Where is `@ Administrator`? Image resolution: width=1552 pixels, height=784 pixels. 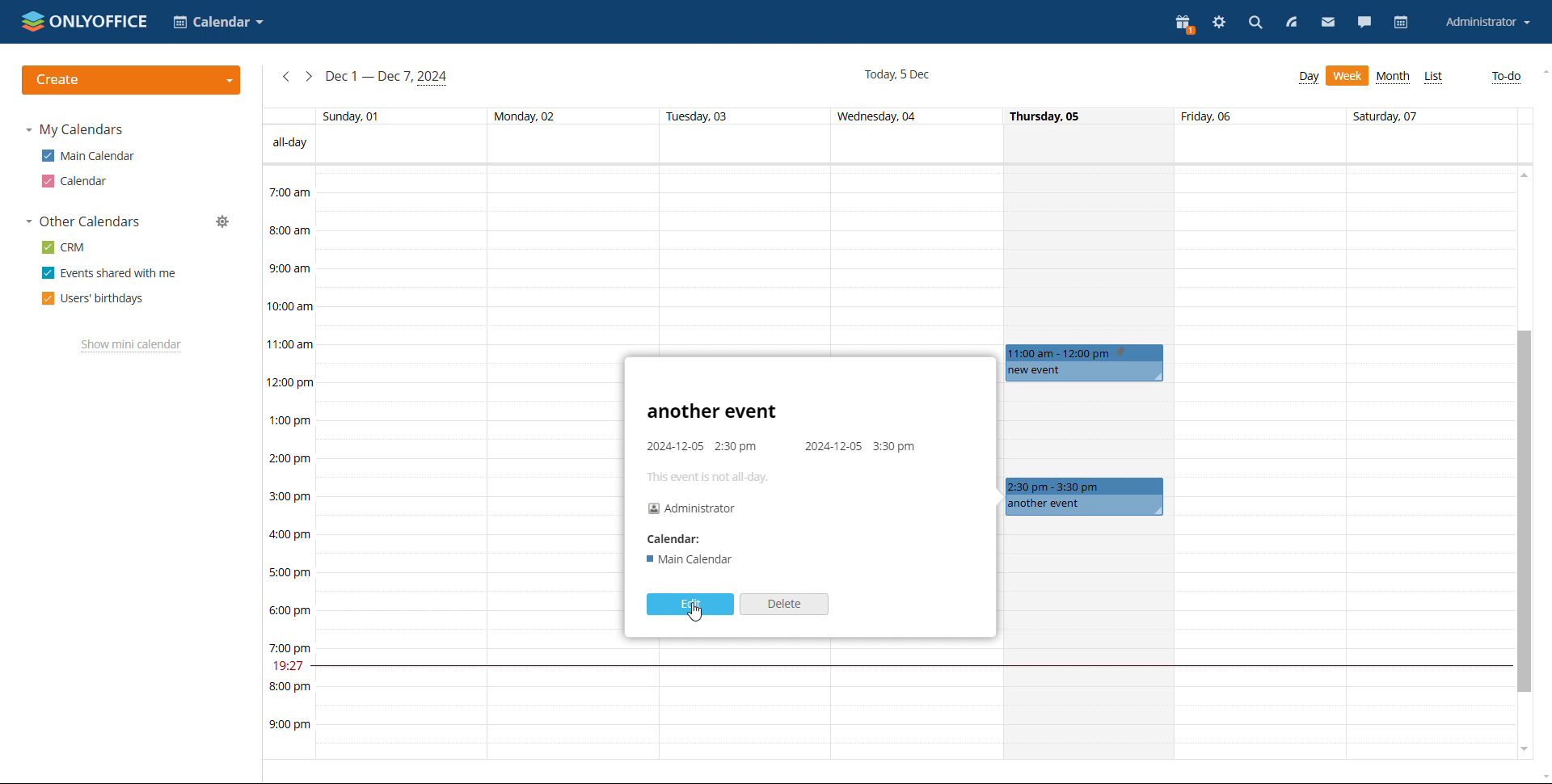 @ Administrator is located at coordinates (692, 508).